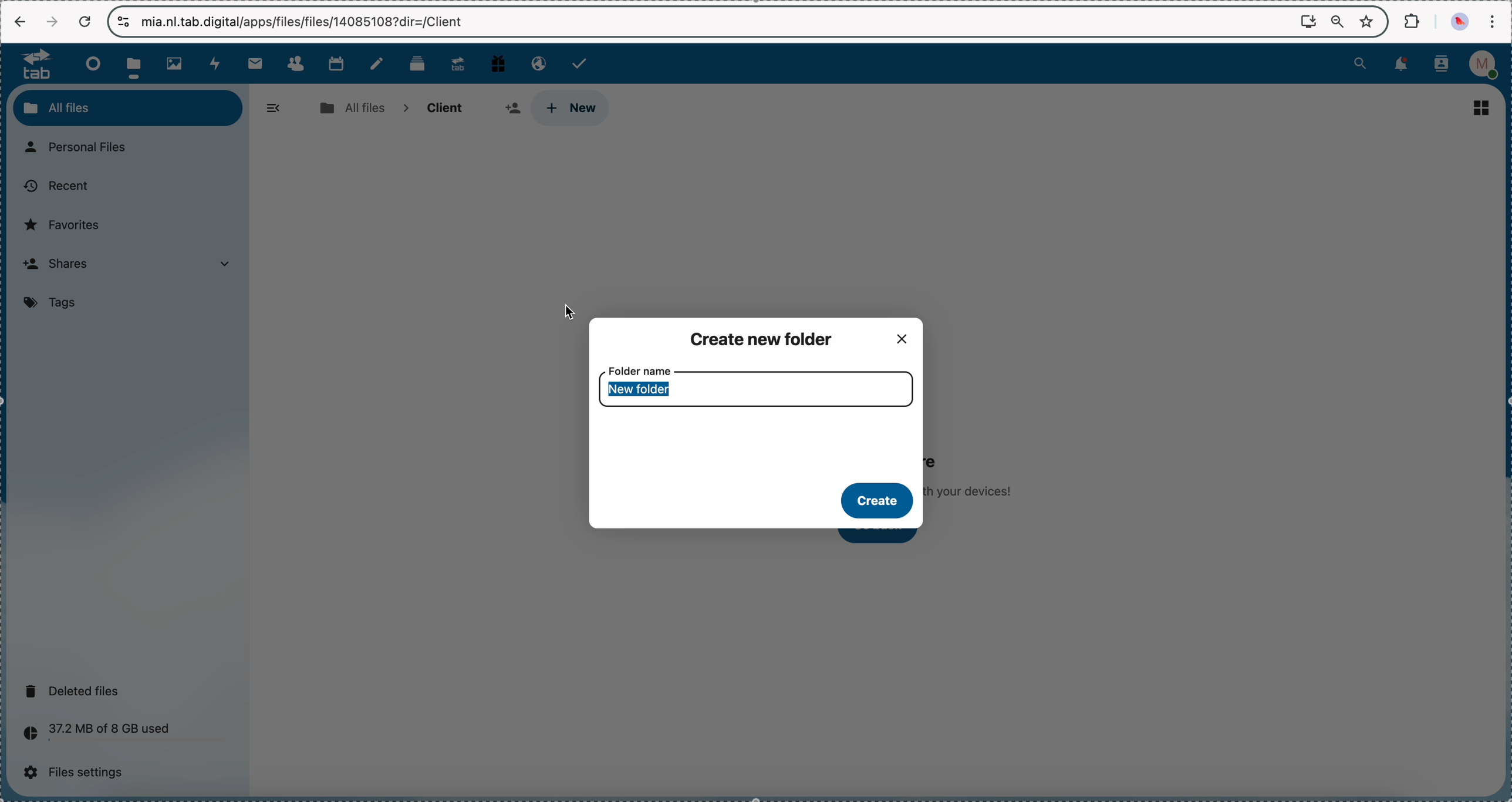  I want to click on client, so click(443, 109).